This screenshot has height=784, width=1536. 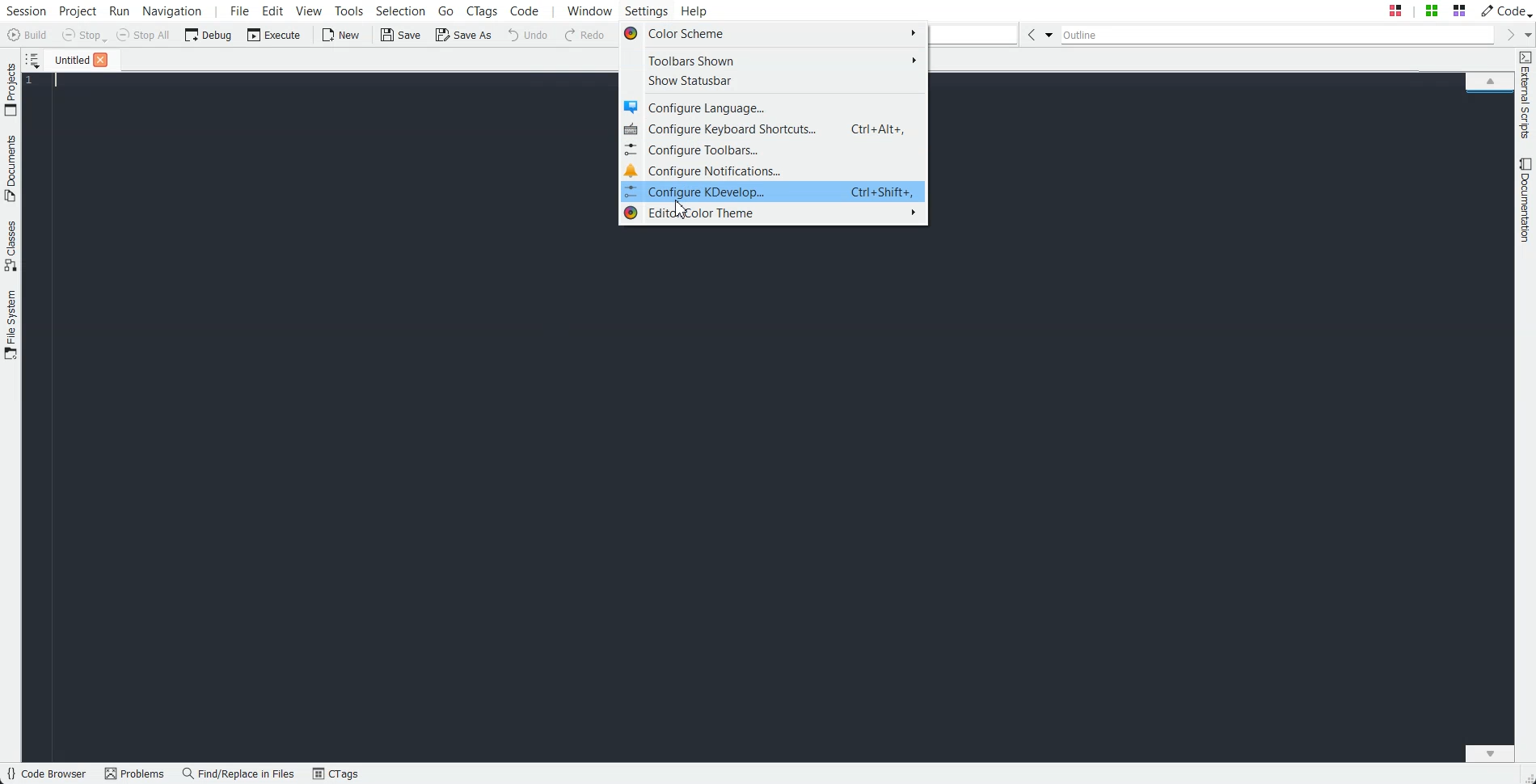 I want to click on Run, so click(x=118, y=11).